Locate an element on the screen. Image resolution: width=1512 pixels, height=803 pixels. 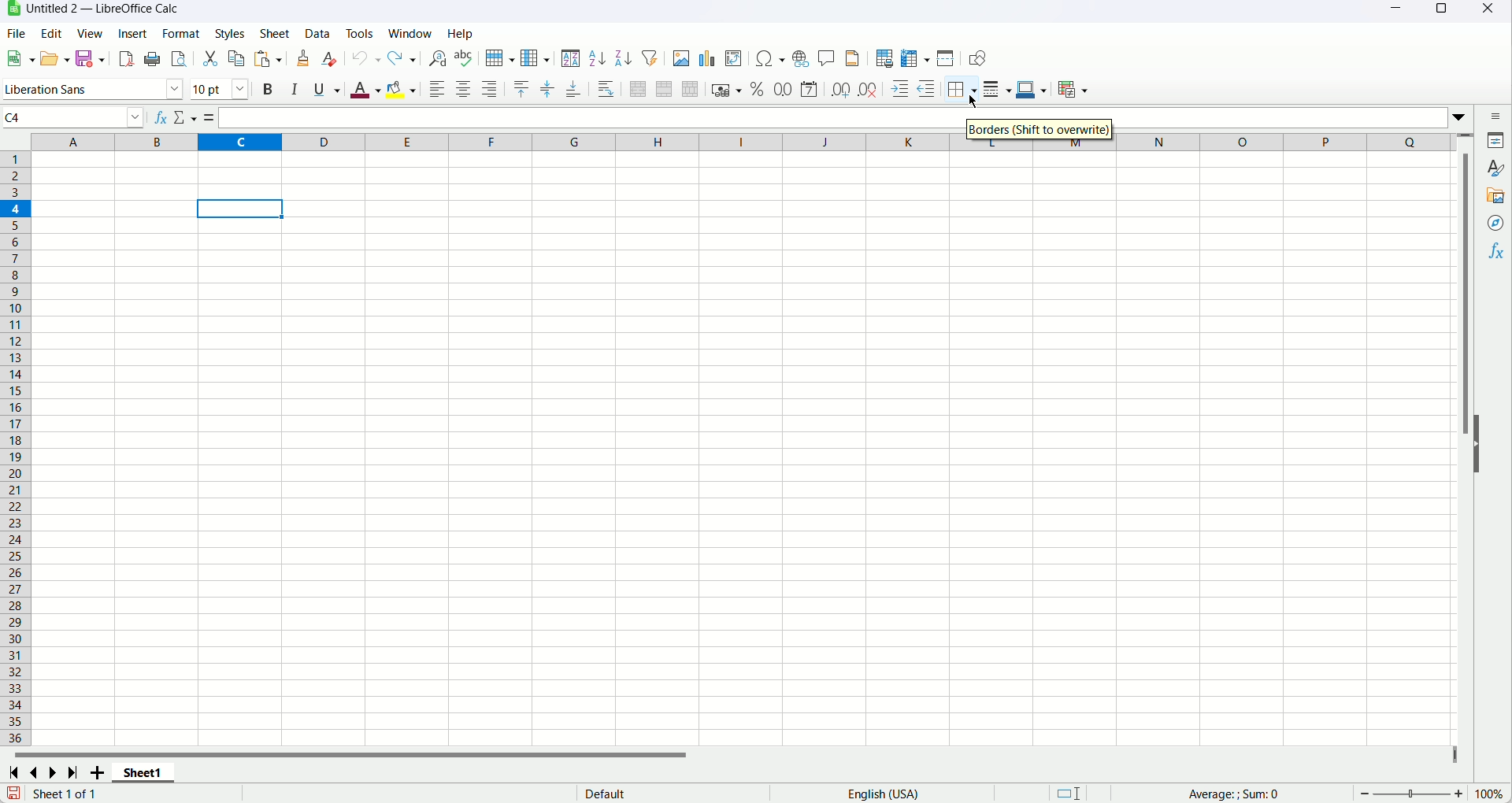
Find and replace is located at coordinates (438, 59).